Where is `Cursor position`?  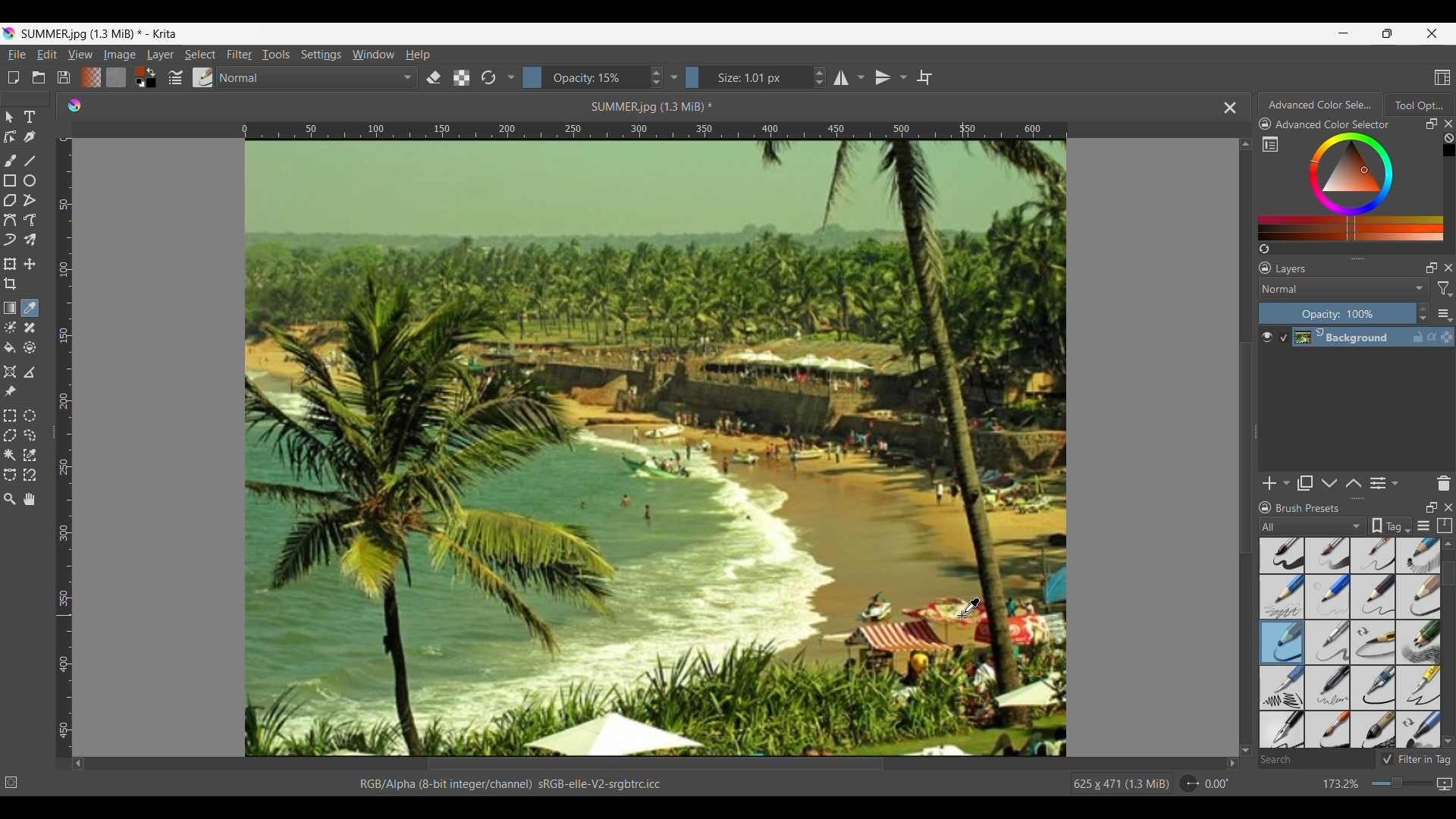
Cursor position is located at coordinates (973, 606).